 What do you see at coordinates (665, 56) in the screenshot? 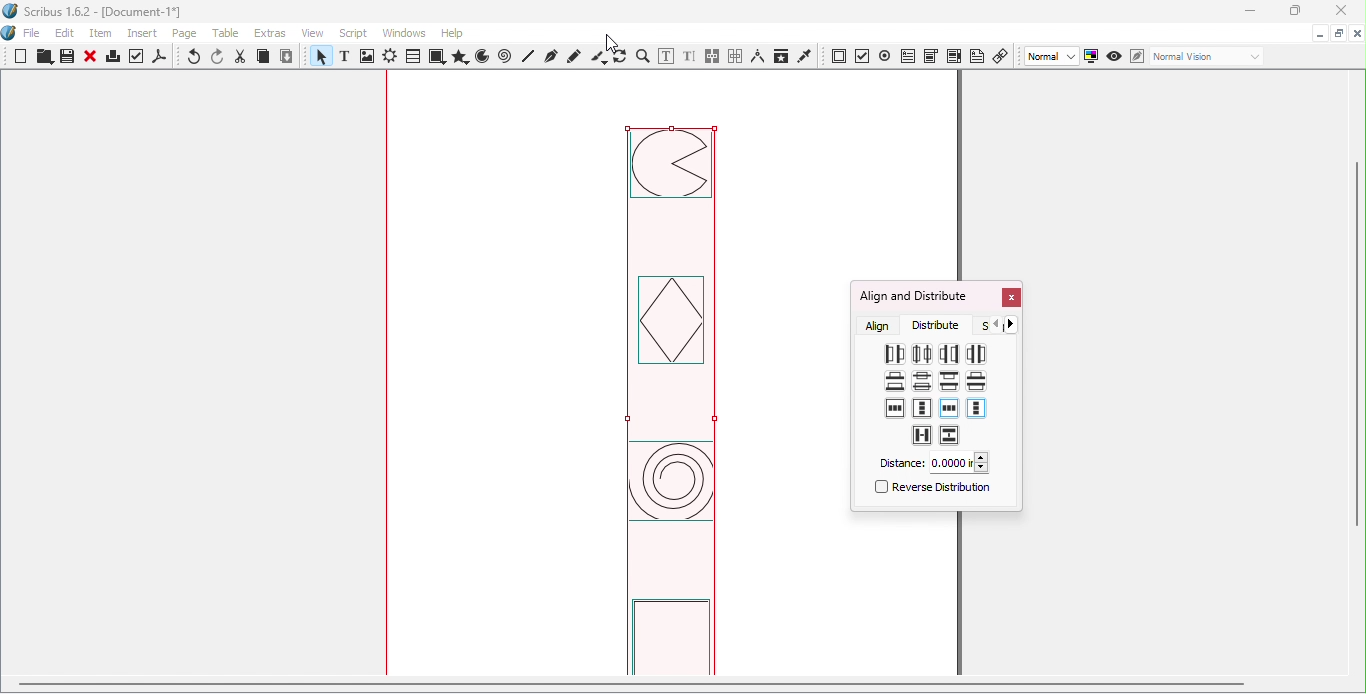
I see `Edit contents of frame` at bounding box center [665, 56].